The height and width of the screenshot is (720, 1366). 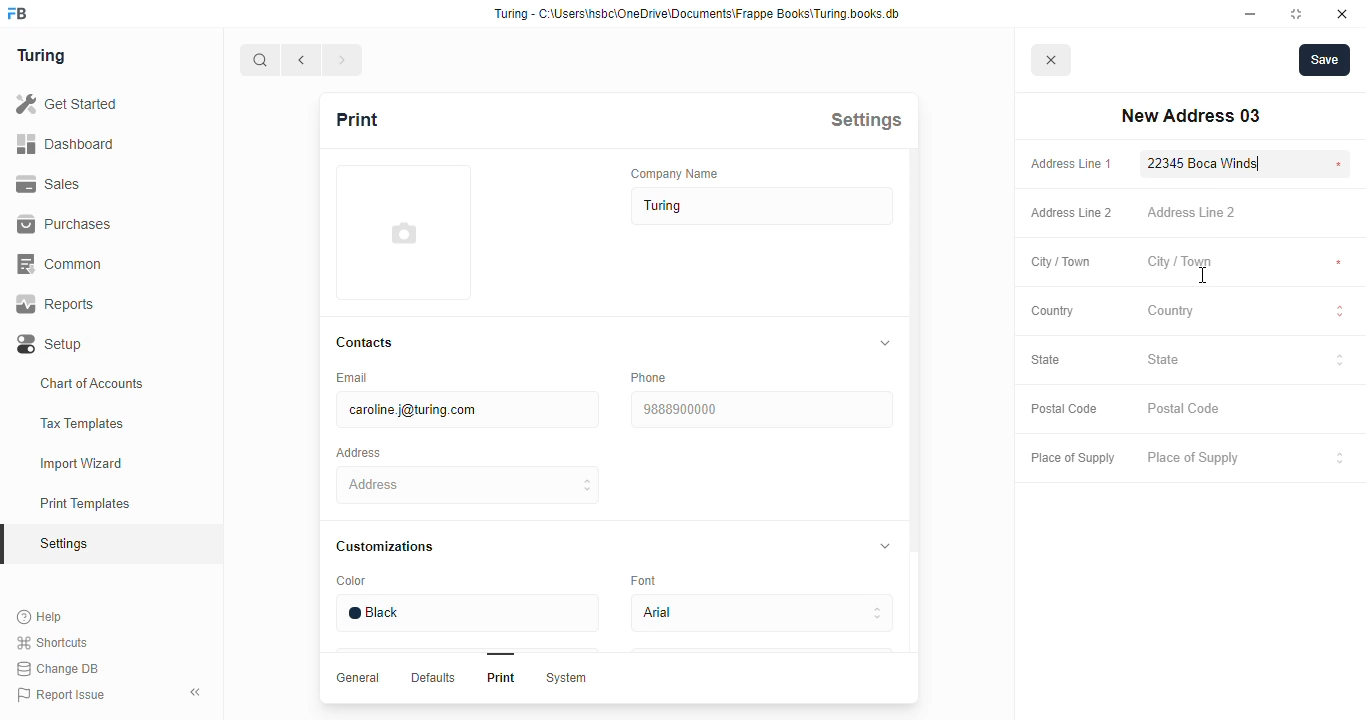 I want to click on cursor, so click(x=1203, y=276).